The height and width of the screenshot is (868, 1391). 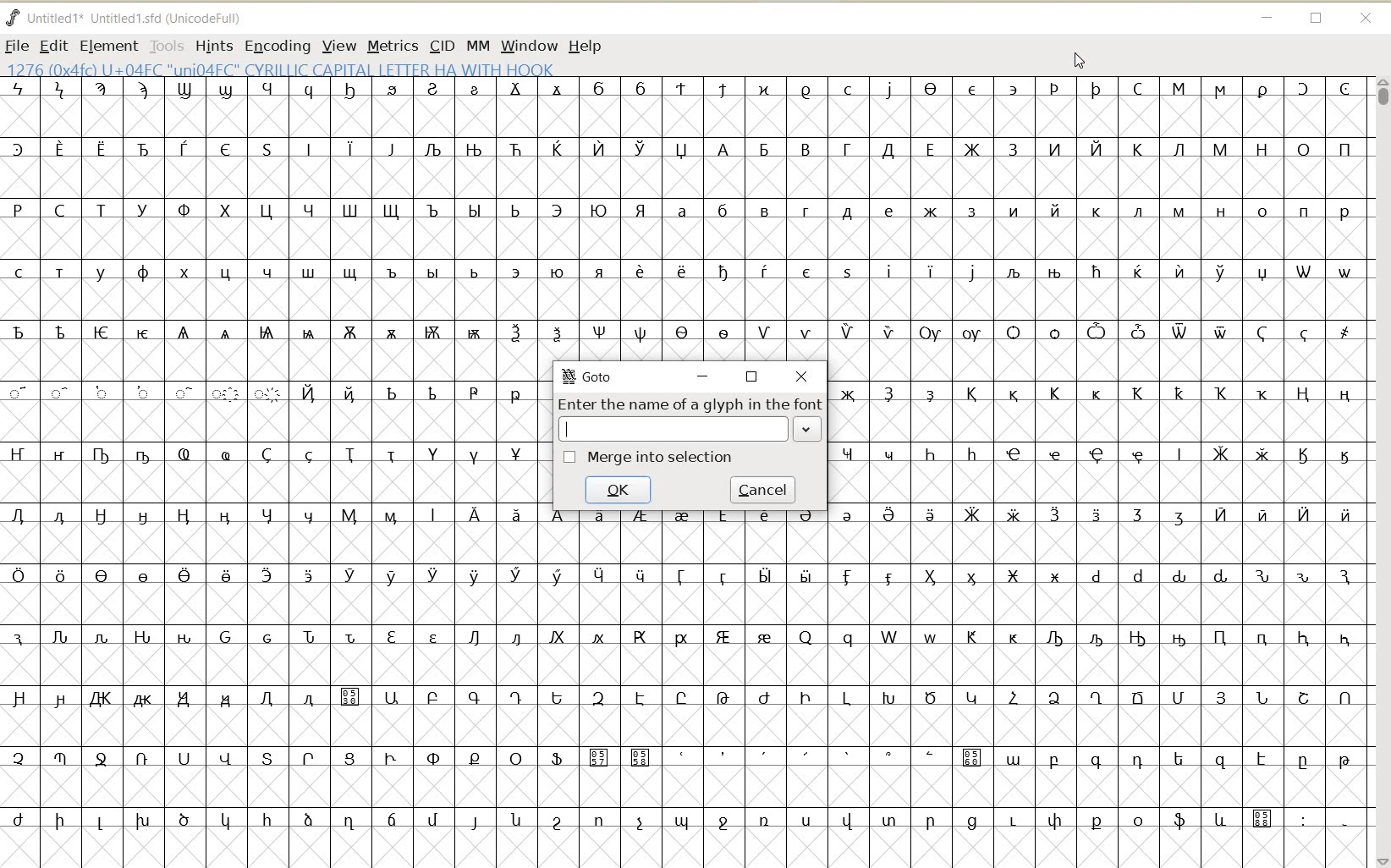 I want to click on ENCODING, so click(x=278, y=45).